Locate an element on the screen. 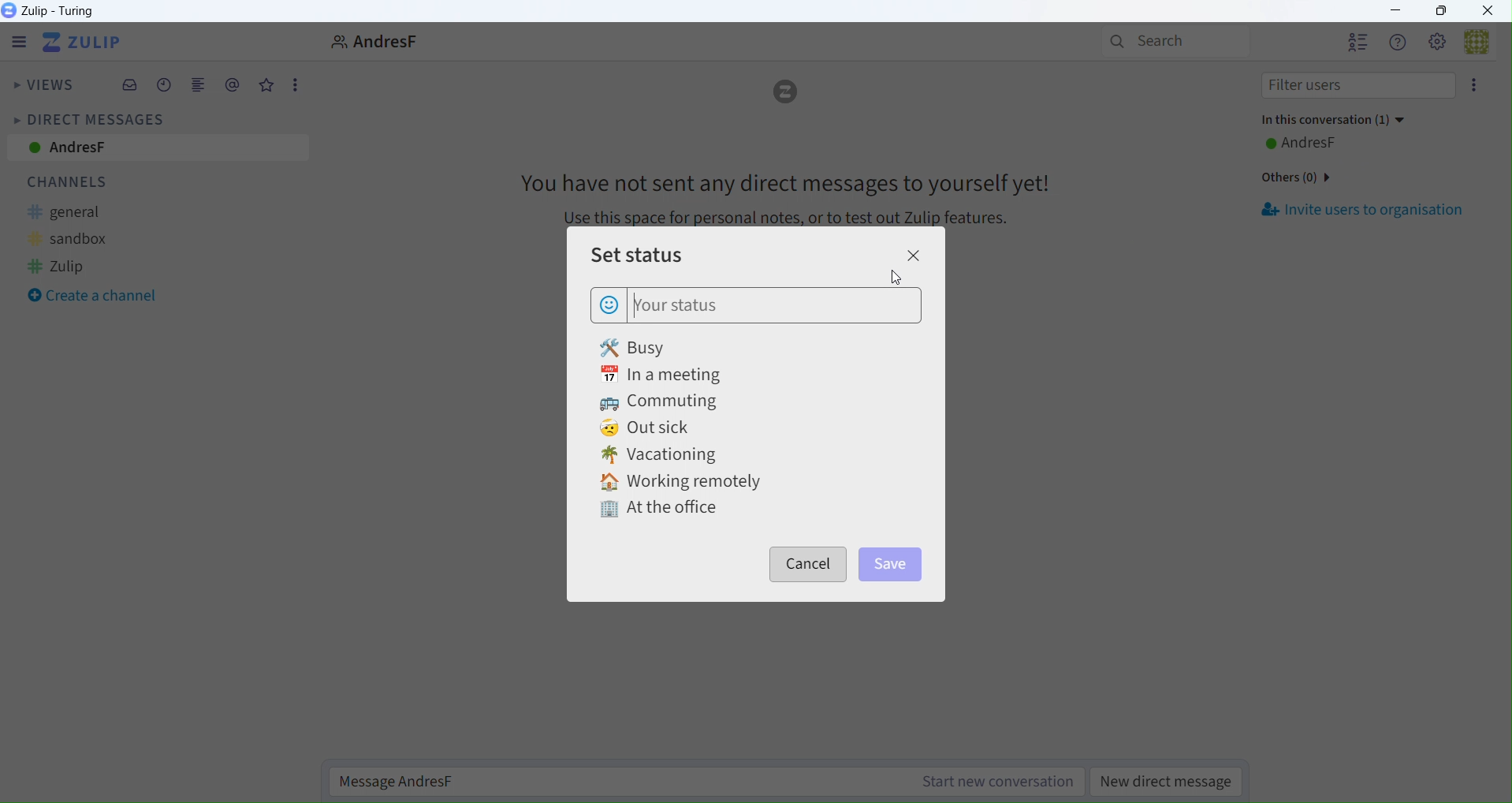 The height and width of the screenshot is (803, 1512). Out sick is located at coordinates (647, 428).